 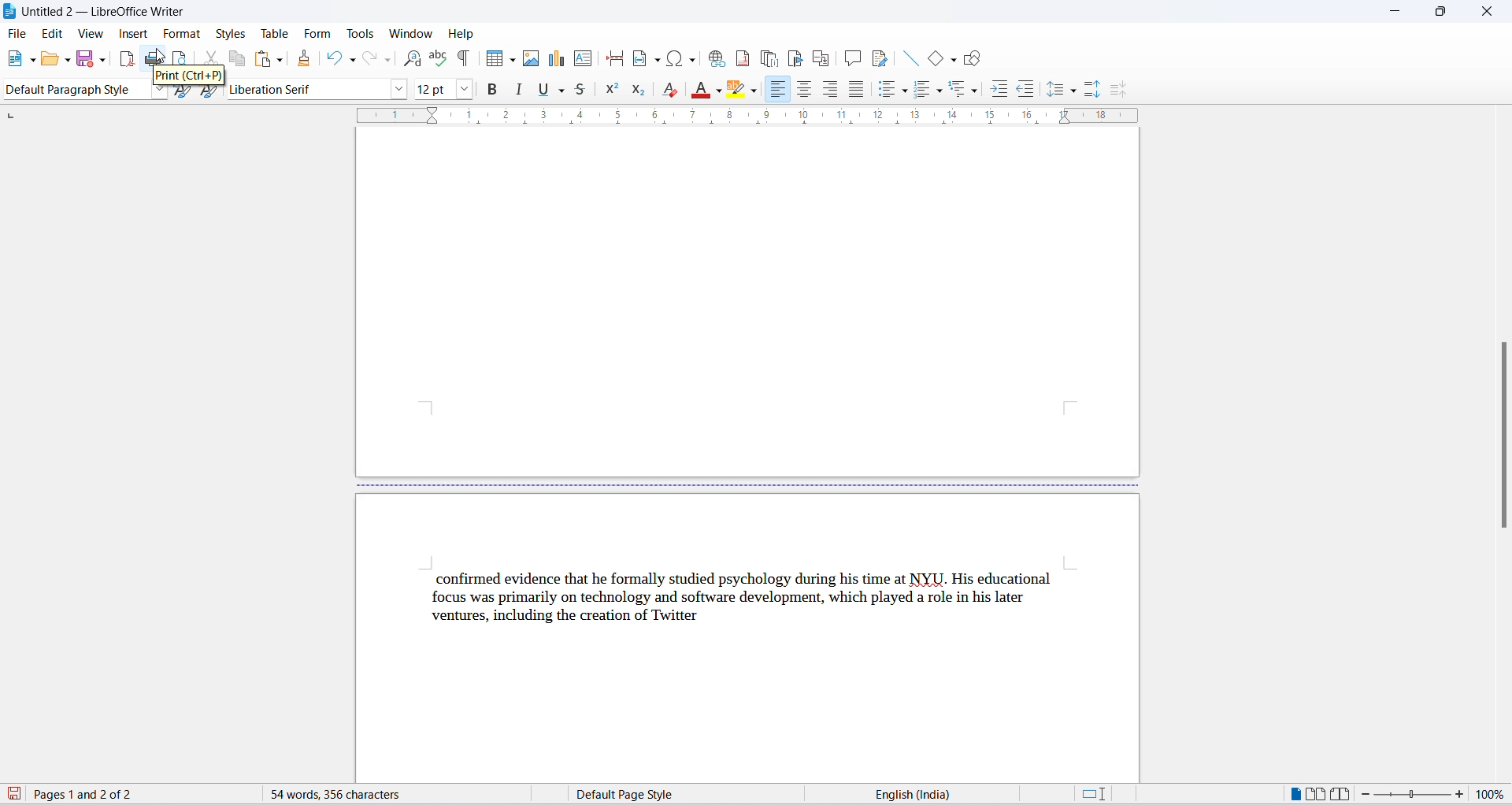 What do you see at coordinates (739, 486) in the screenshot?
I see `page end` at bounding box center [739, 486].